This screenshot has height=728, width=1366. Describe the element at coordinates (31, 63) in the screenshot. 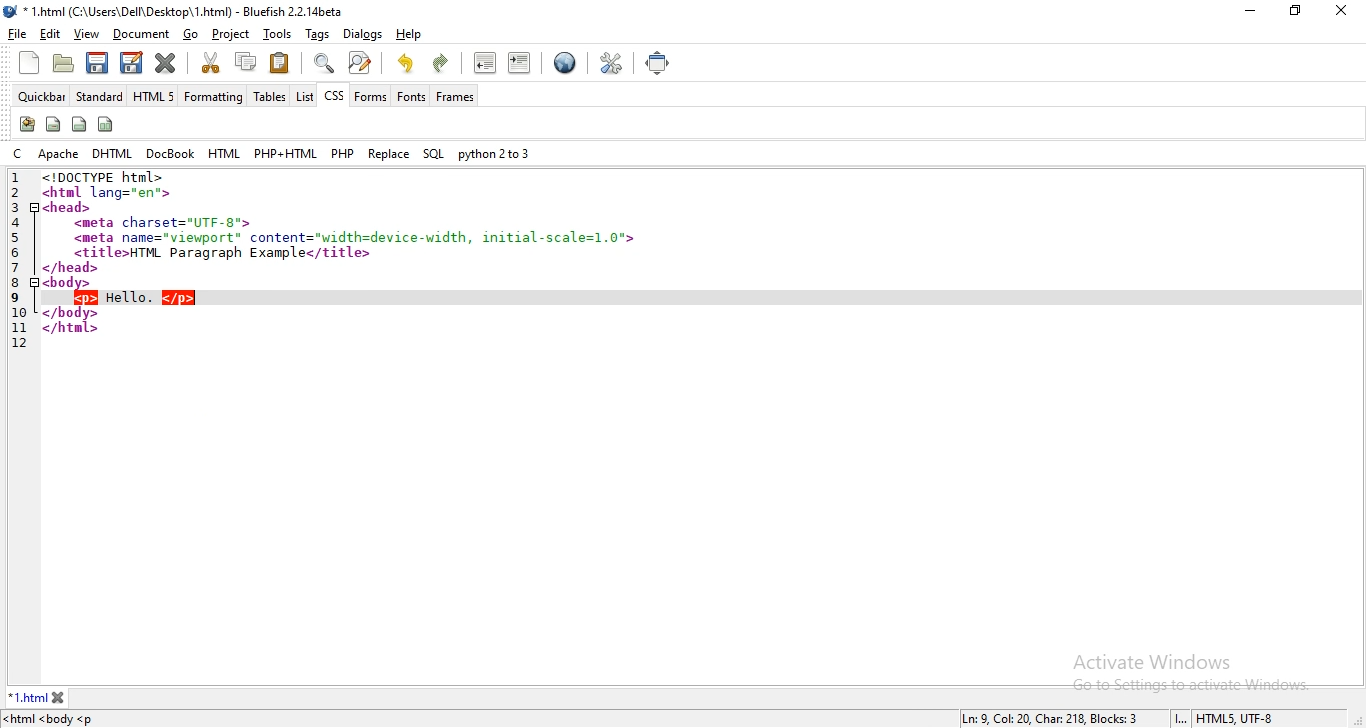

I see `new file` at that location.